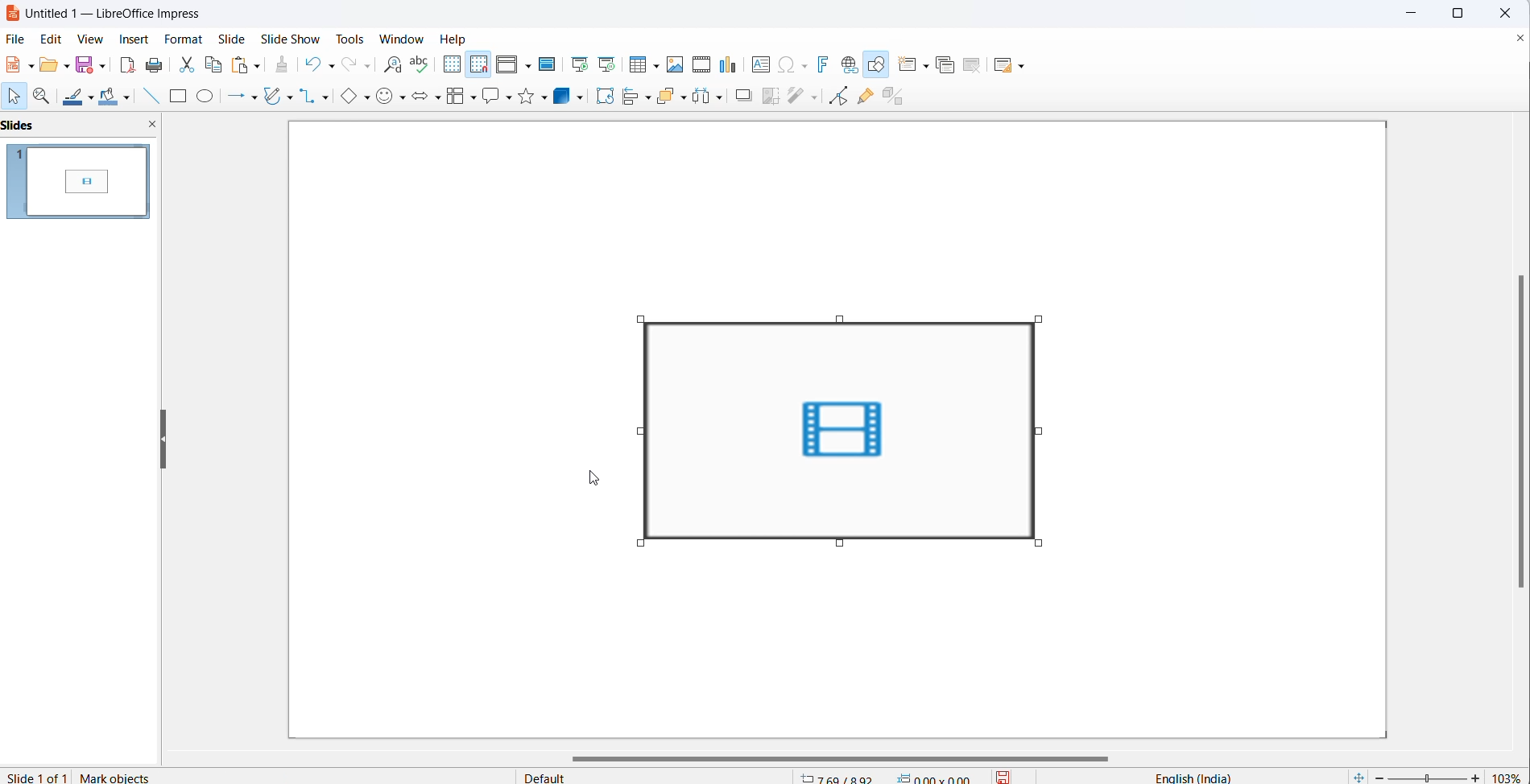  Describe the element at coordinates (18, 39) in the screenshot. I see `file` at that location.